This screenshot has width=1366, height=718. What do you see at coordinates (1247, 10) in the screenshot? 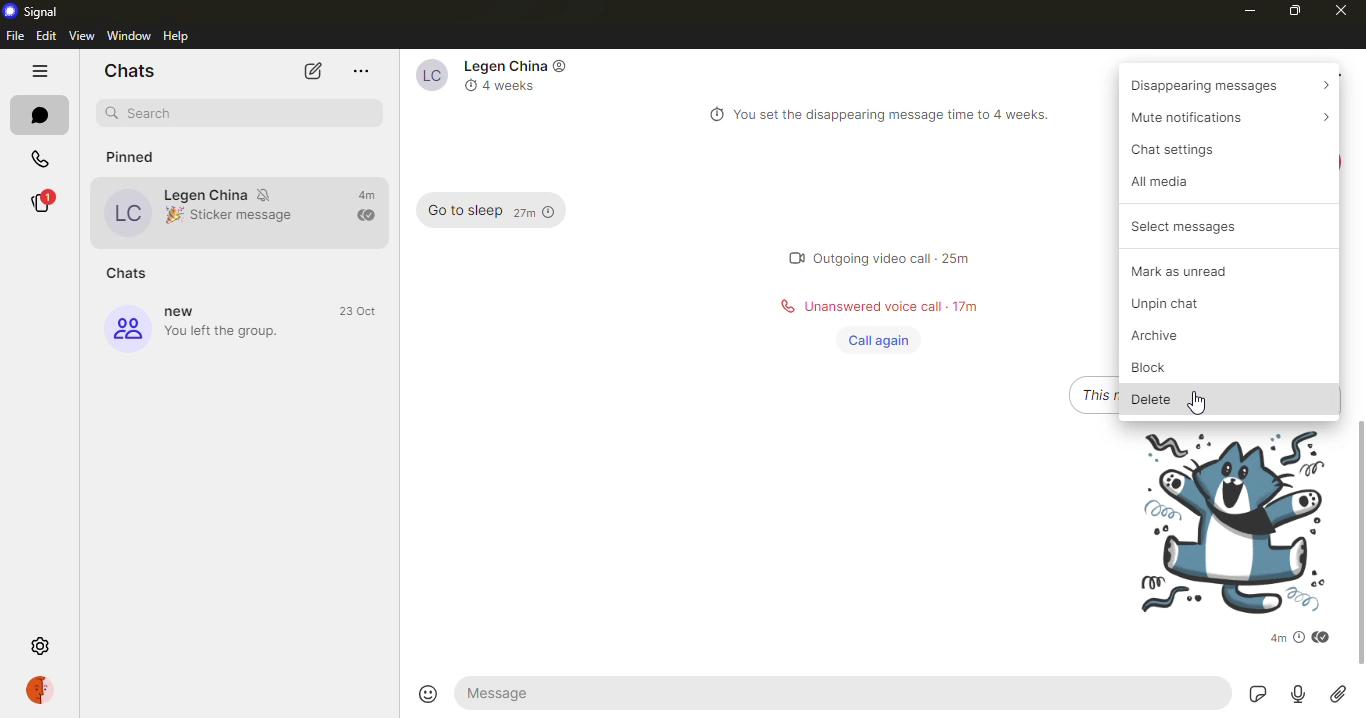
I see `minimize` at bounding box center [1247, 10].